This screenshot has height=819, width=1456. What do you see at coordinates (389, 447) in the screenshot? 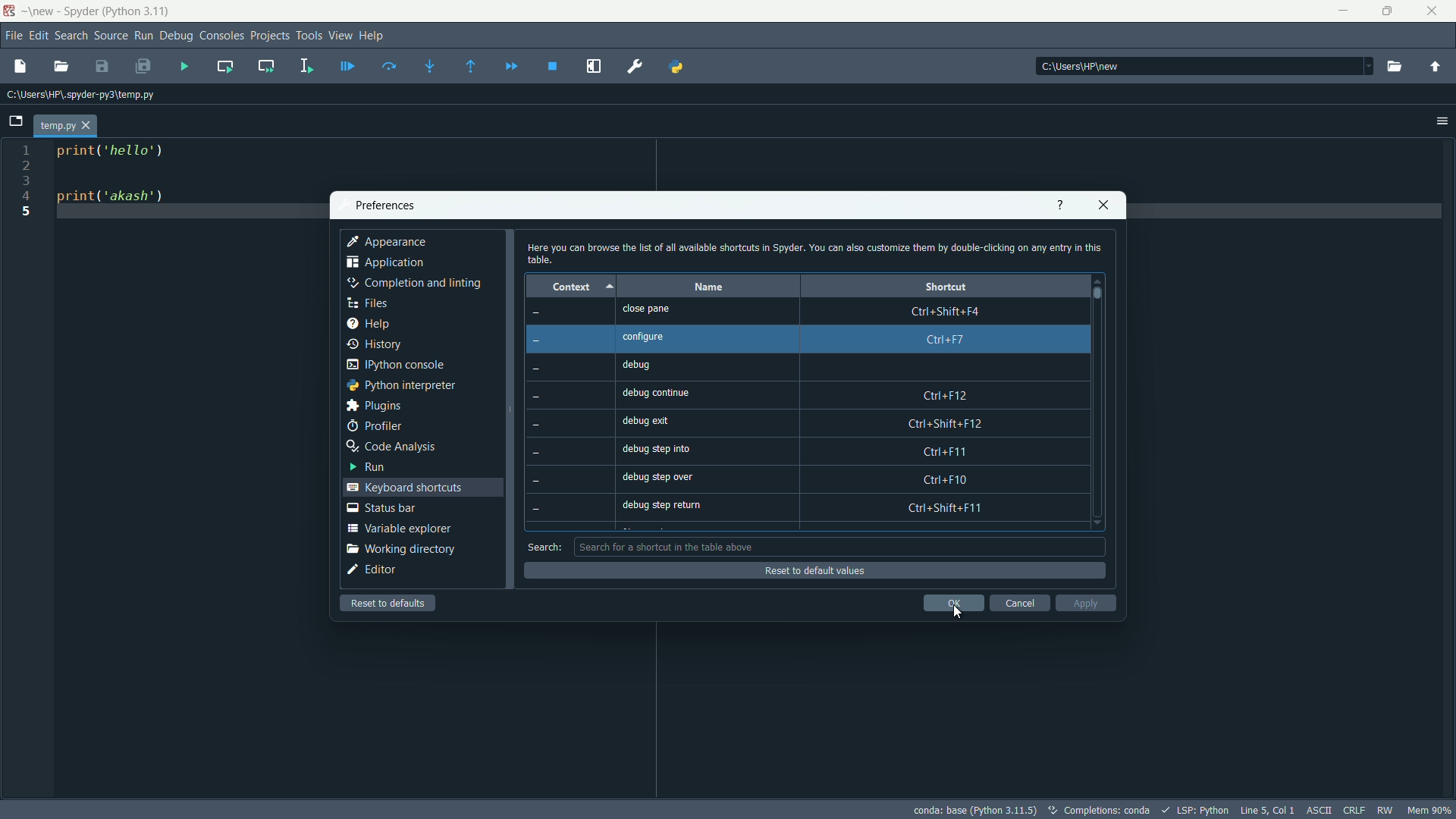
I see `code analysis` at bounding box center [389, 447].